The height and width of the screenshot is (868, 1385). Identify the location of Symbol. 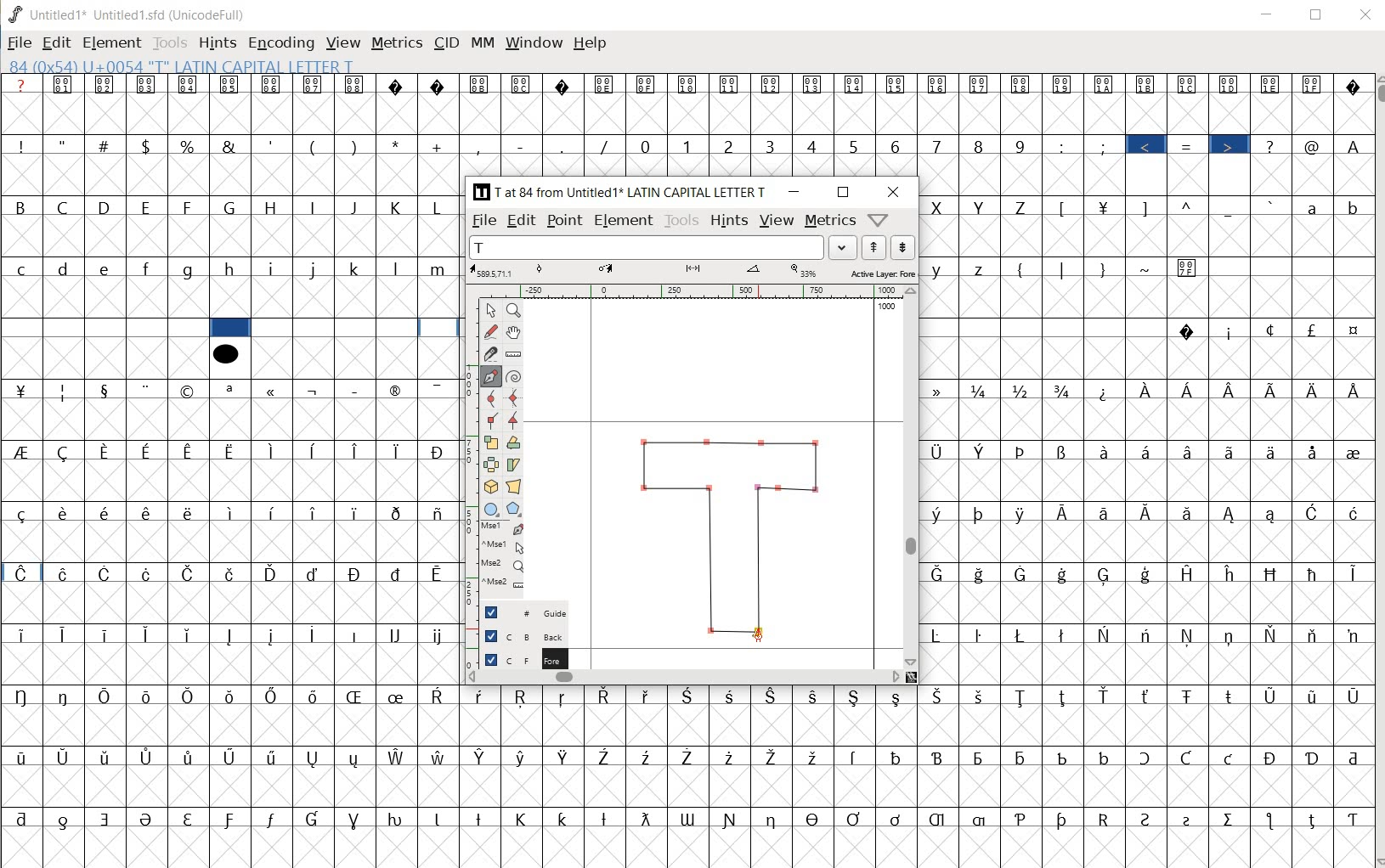
(1350, 820).